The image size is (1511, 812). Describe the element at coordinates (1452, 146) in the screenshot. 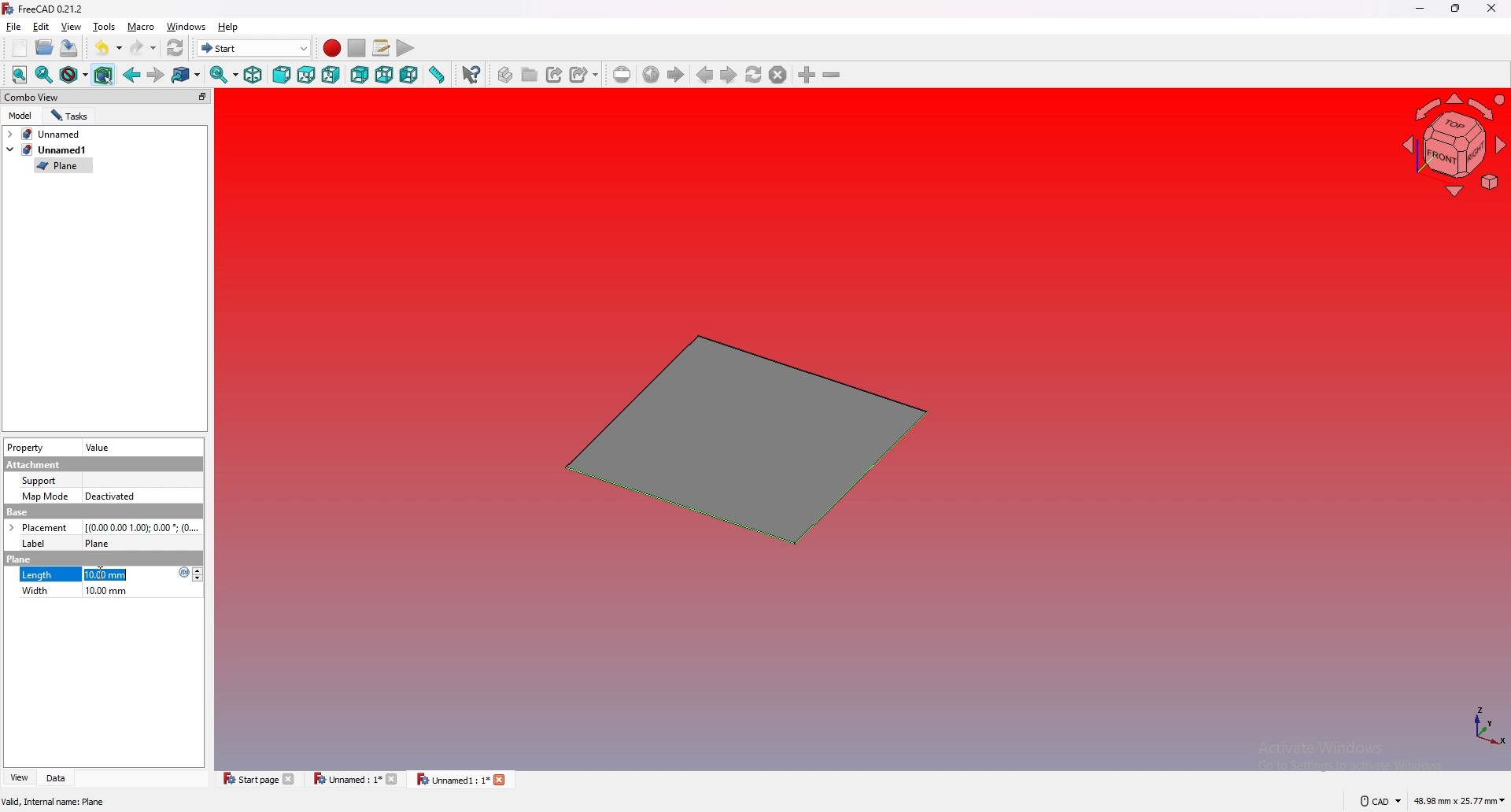

I see `navigation cube` at that location.